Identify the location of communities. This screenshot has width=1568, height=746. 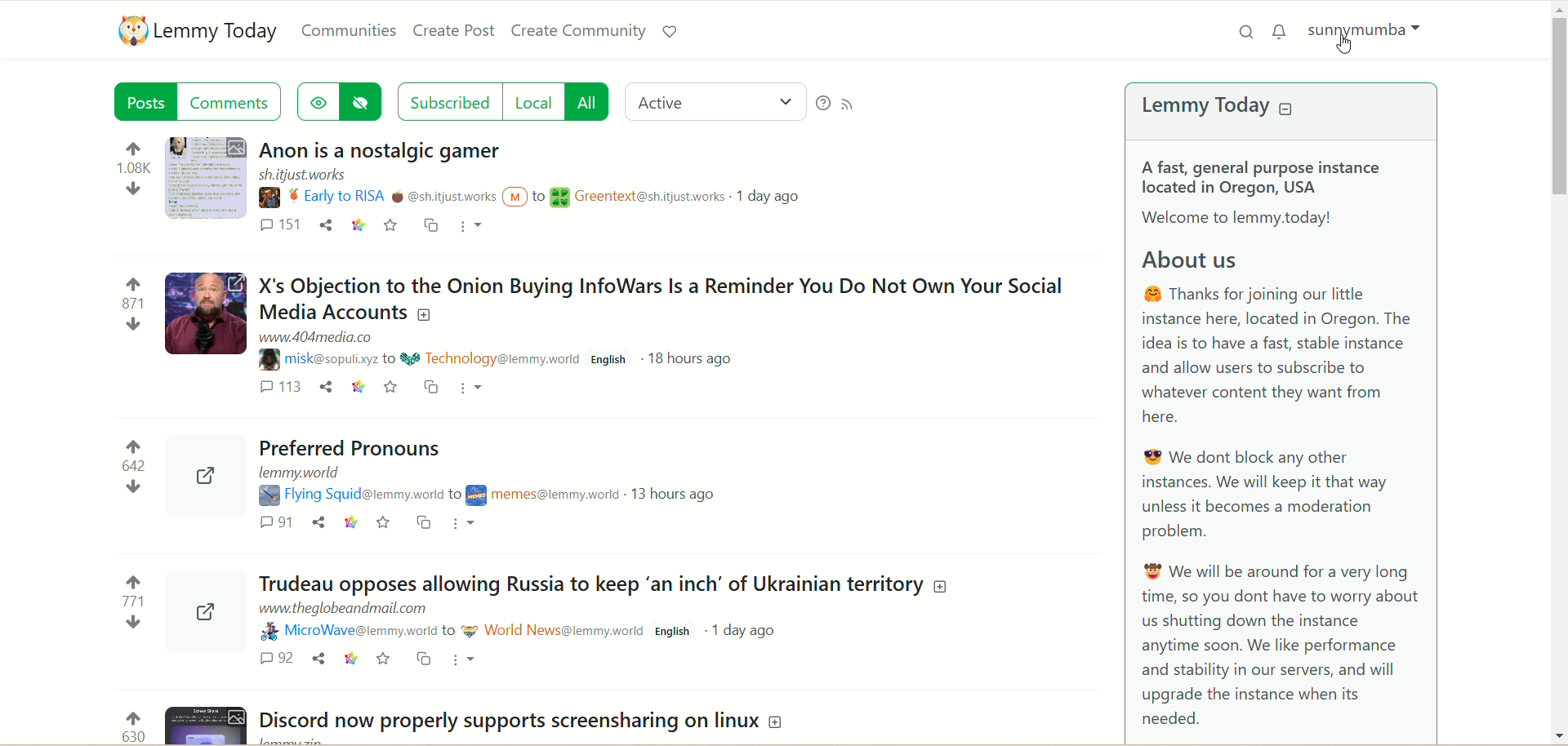
(350, 30).